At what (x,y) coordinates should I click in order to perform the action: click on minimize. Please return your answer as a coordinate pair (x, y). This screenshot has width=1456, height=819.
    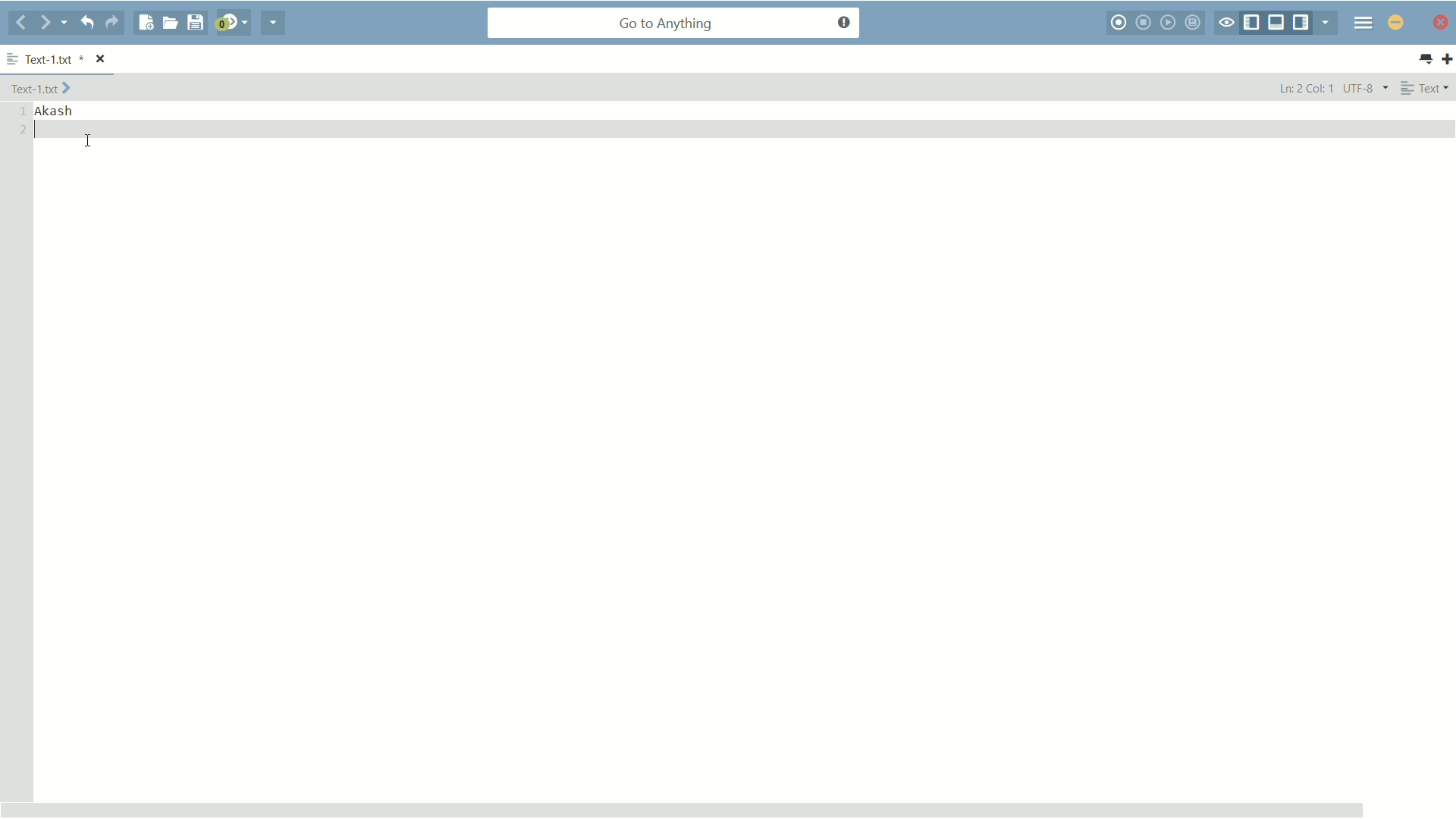
    Looking at the image, I should click on (1395, 24).